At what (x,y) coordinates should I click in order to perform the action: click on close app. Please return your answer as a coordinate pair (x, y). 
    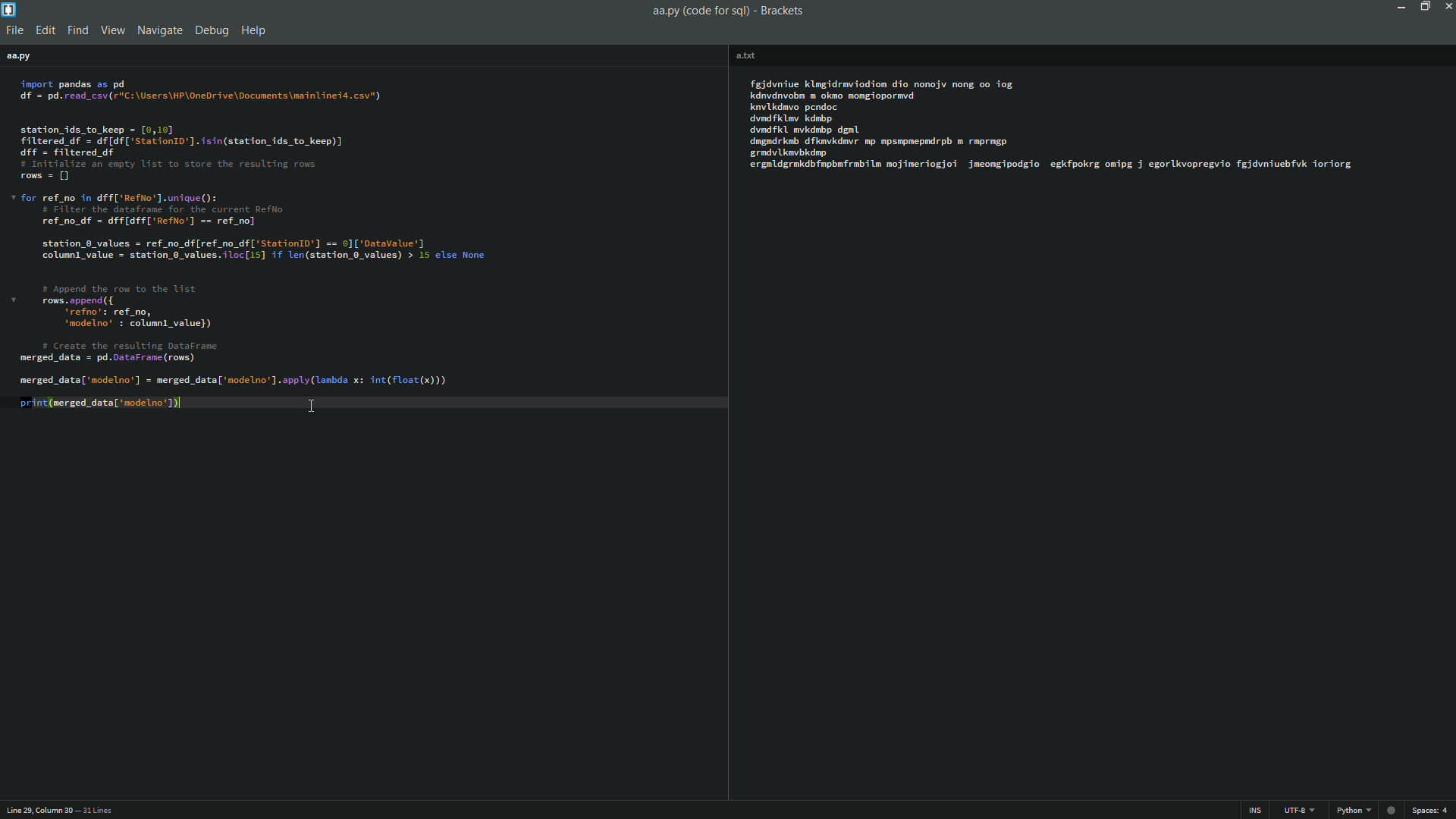
    Looking at the image, I should click on (1447, 9).